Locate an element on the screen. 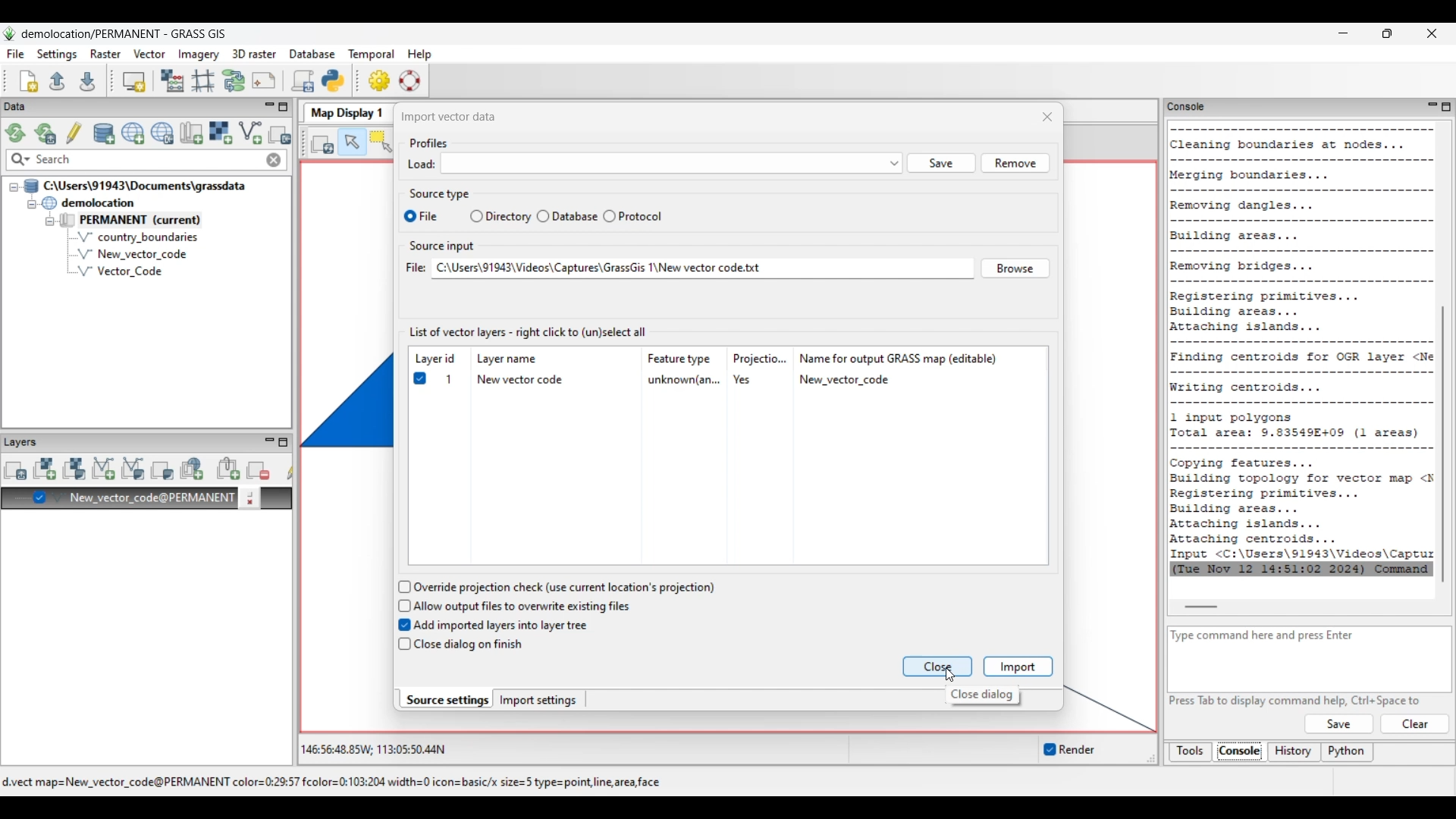  Collapse file thread  is located at coordinates (14, 187).